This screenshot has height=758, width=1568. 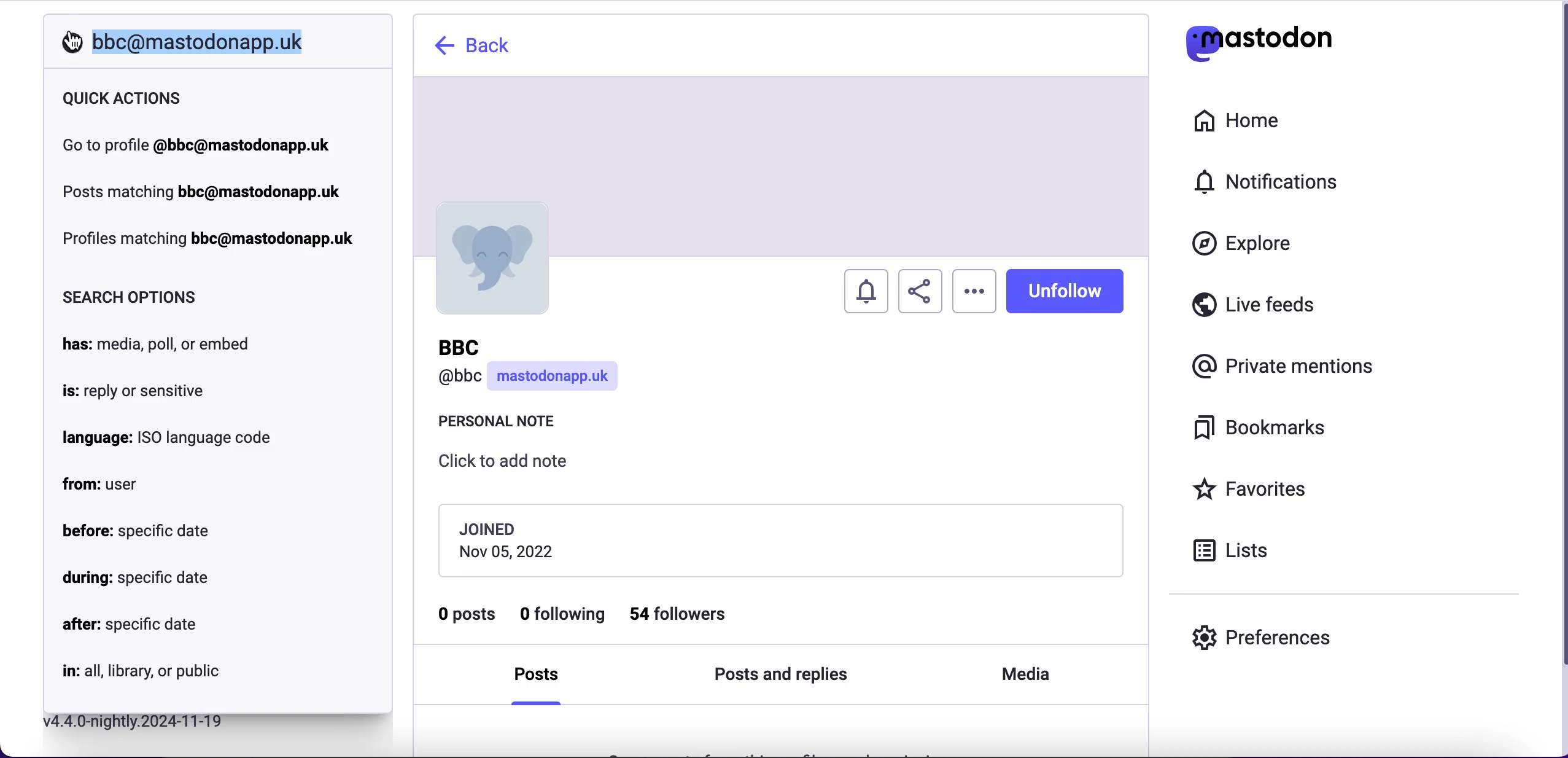 What do you see at coordinates (503, 424) in the screenshot?
I see `personal note` at bounding box center [503, 424].